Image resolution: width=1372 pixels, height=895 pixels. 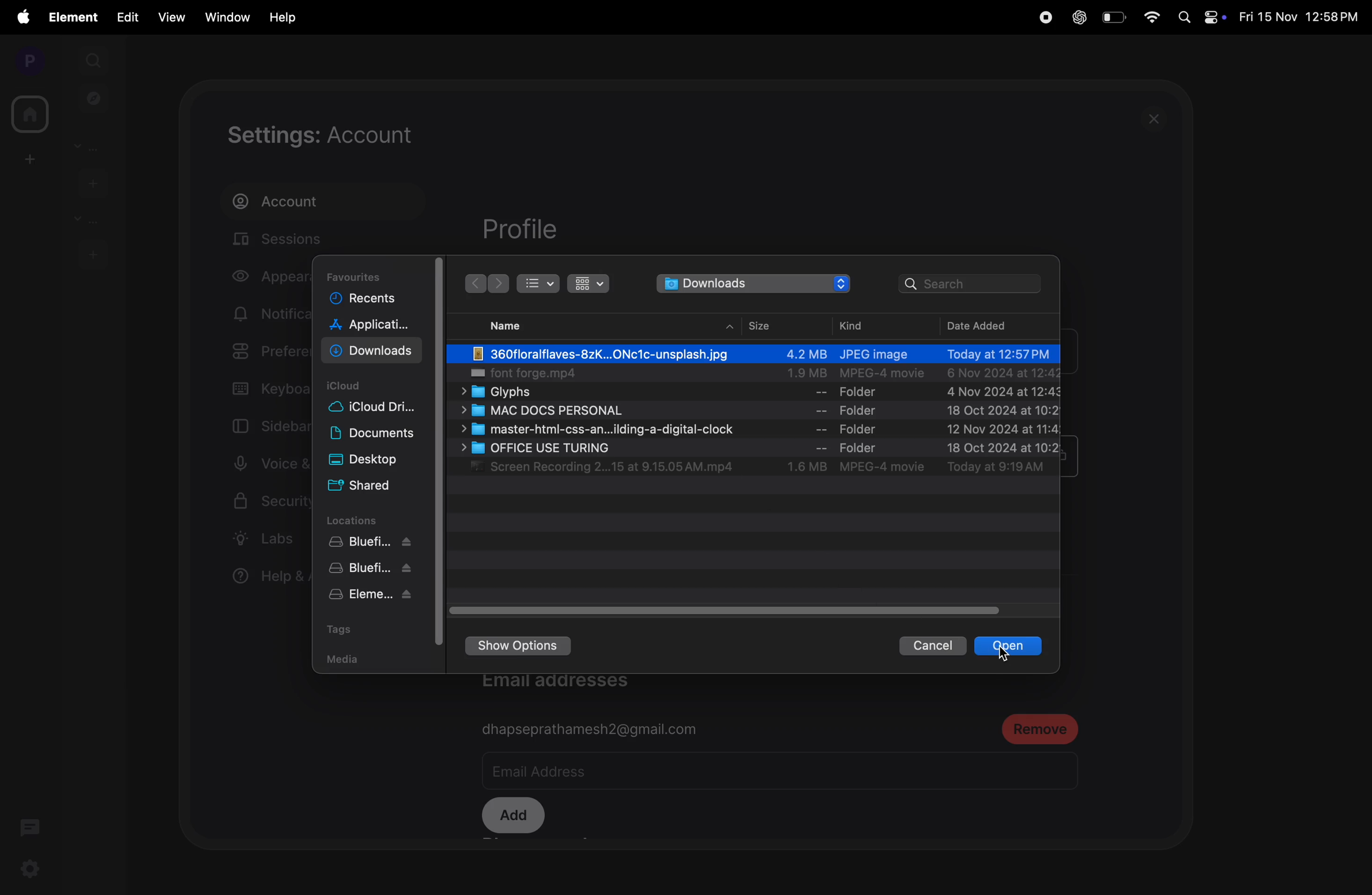 What do you see at coordinates (367, 519) in the screenshot?
I see `locations` at bounding box center [367, 519].